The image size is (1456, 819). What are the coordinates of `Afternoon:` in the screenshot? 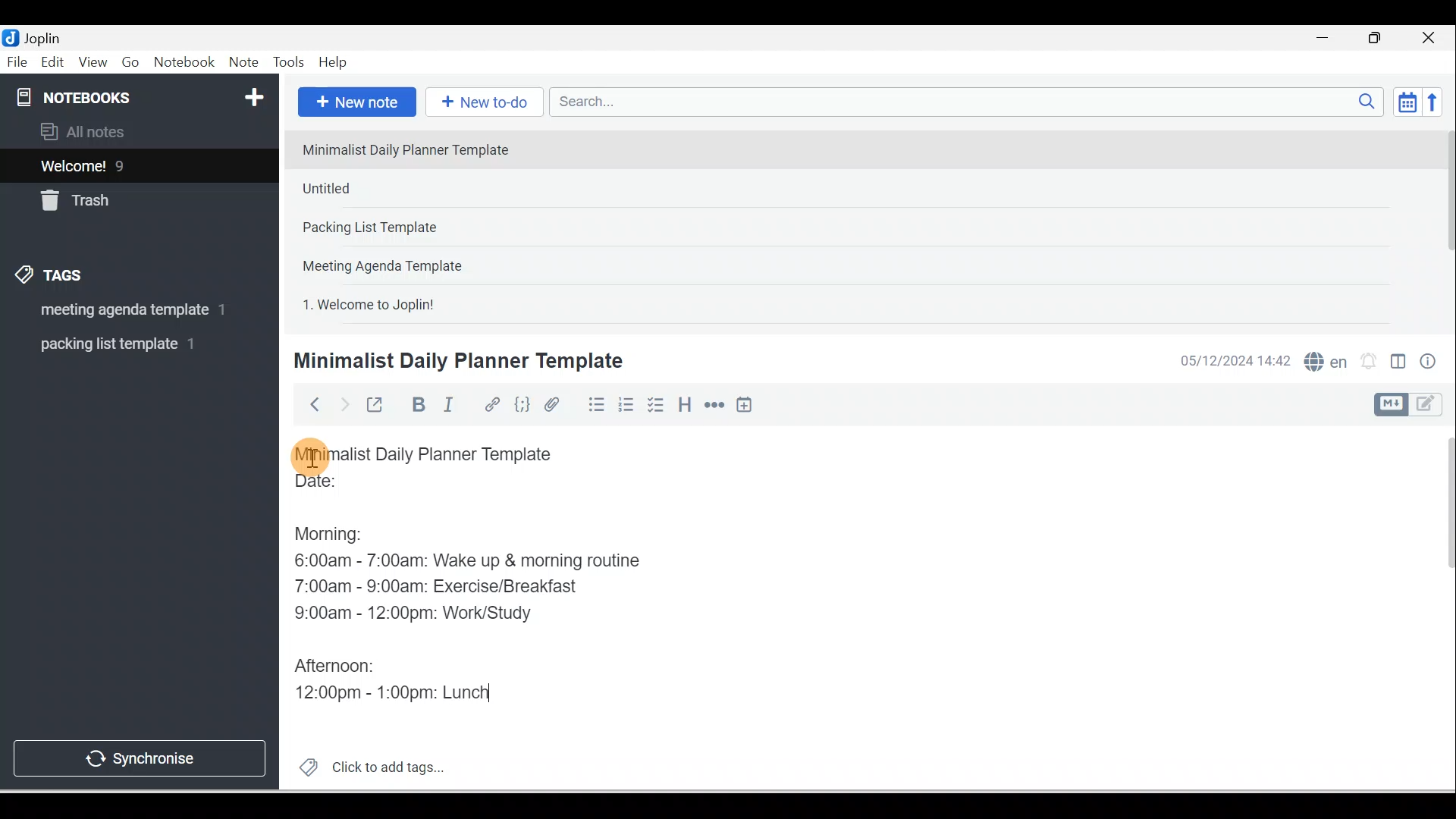 It's located at (340, 663).